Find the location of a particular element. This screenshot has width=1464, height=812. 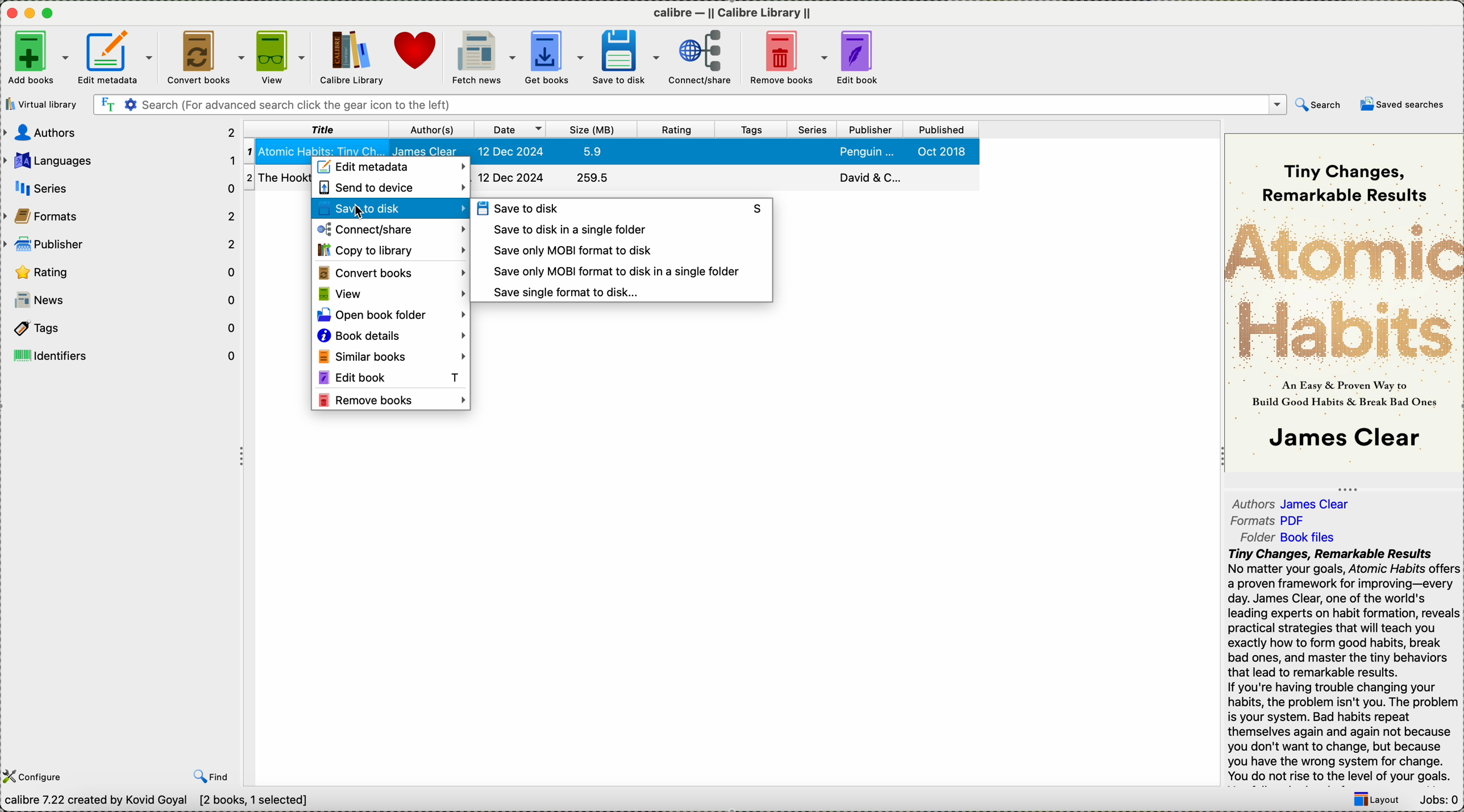

edit metadata is located at coordinates (118, 56).